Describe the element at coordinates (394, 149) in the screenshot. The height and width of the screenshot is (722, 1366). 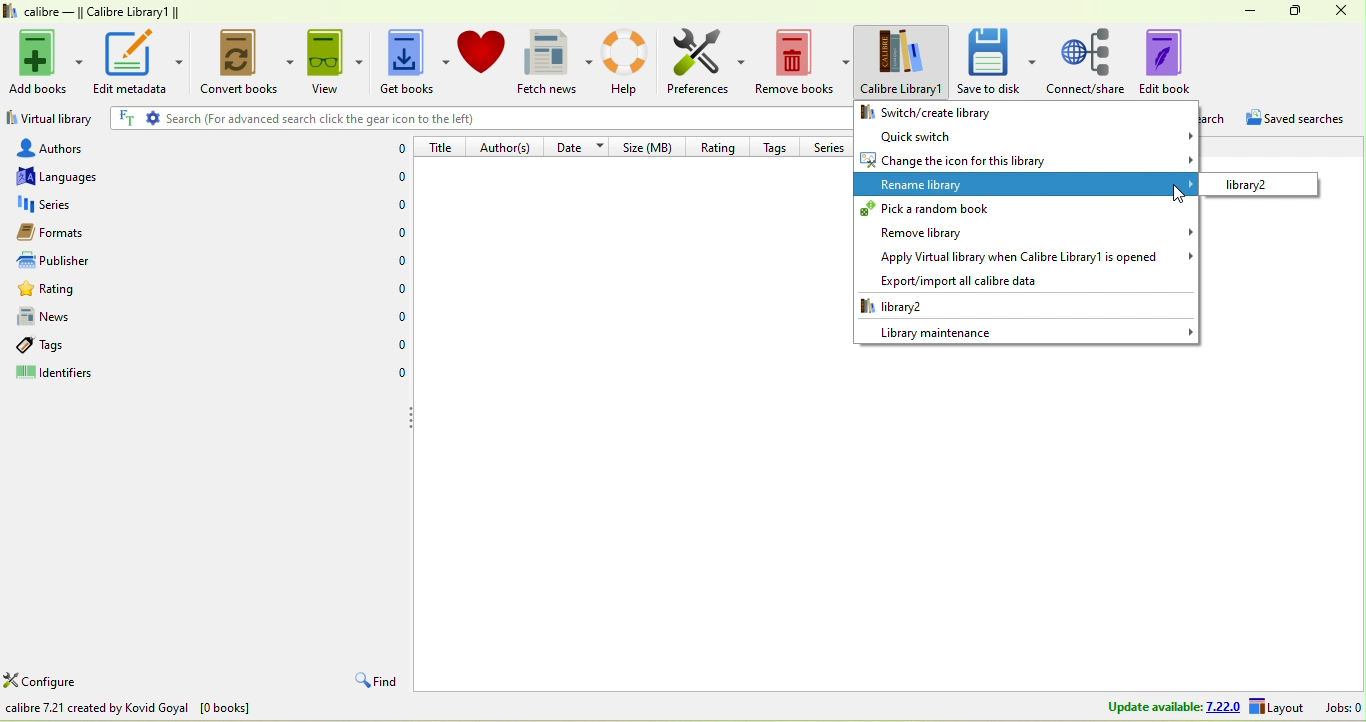
I see `0` at that location.